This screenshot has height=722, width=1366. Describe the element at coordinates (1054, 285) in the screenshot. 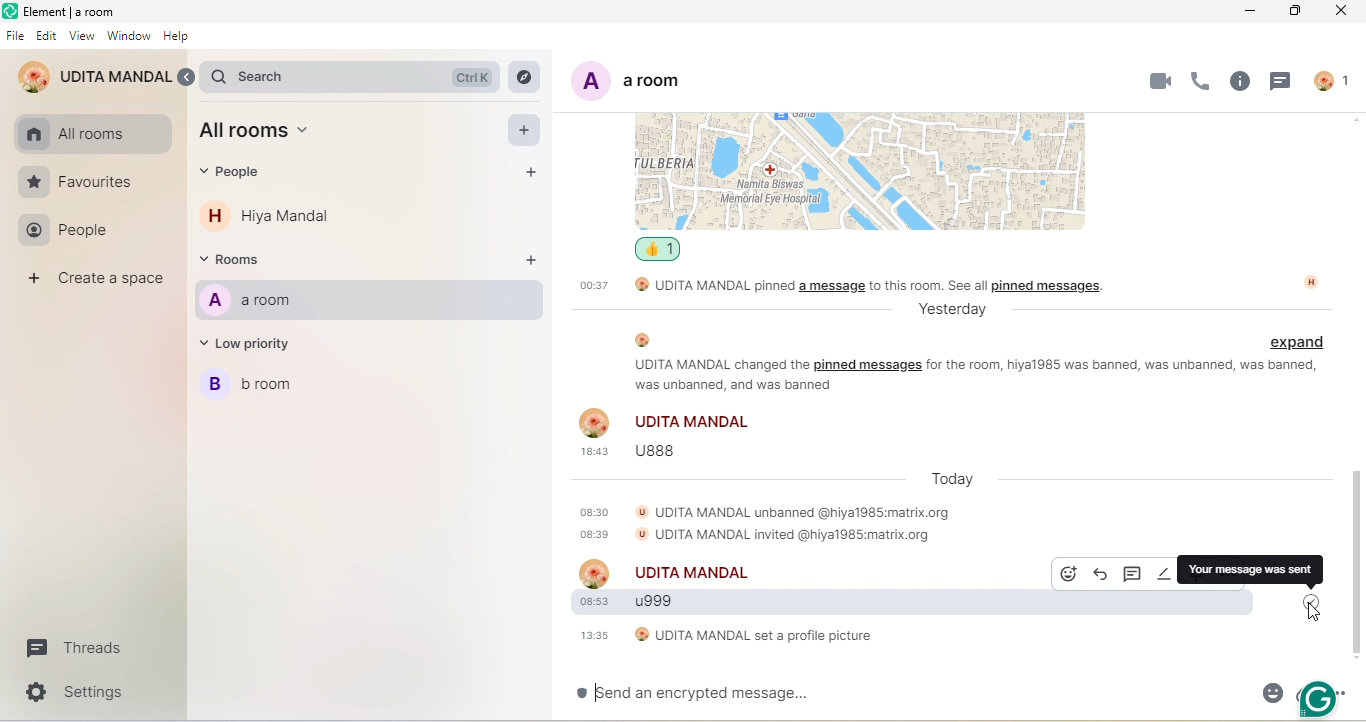

I see `pinned message ` at that location.